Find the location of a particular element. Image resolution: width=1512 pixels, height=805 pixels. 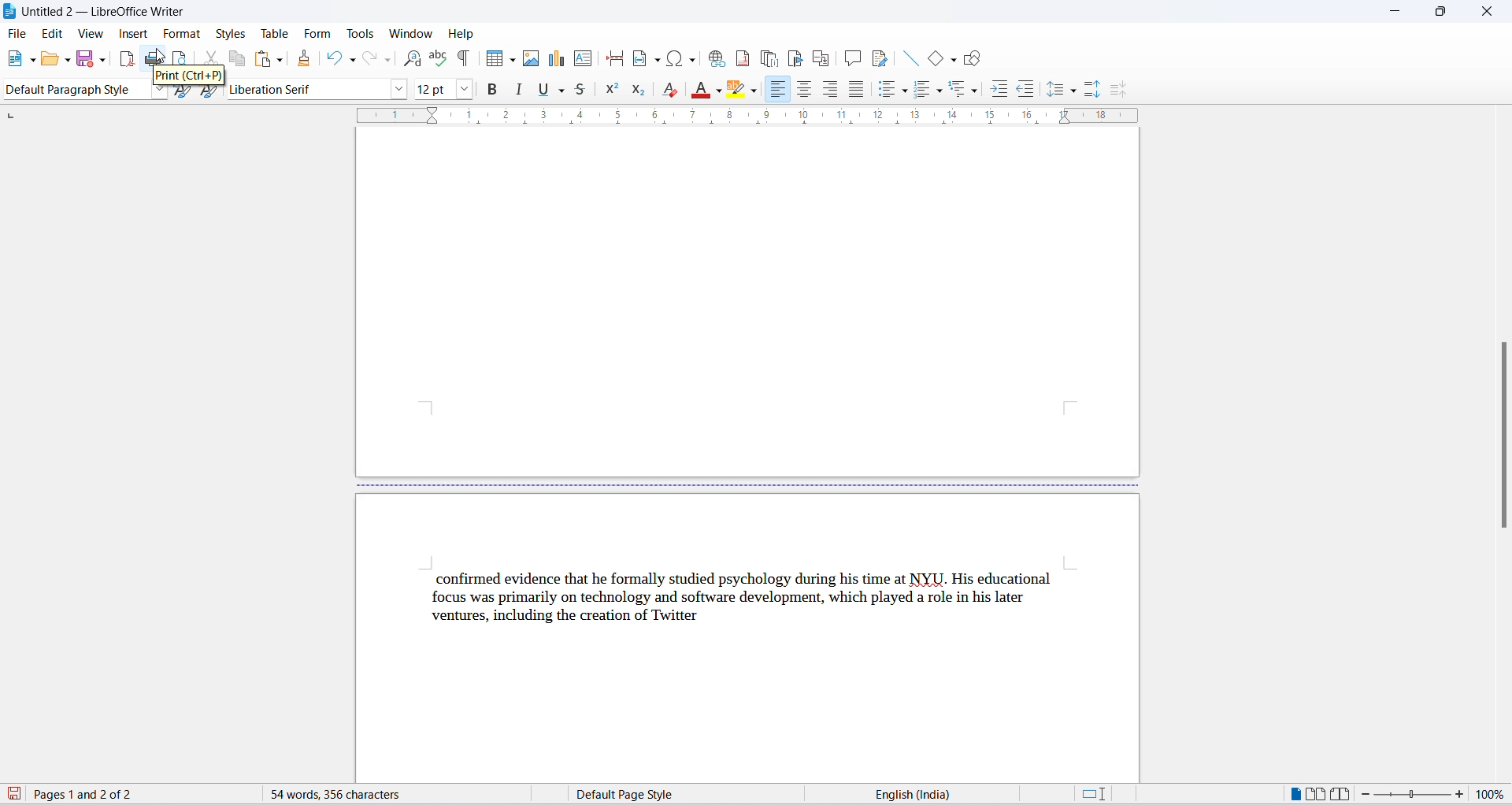

insert hyperlink is located at coordinates (713, 59).